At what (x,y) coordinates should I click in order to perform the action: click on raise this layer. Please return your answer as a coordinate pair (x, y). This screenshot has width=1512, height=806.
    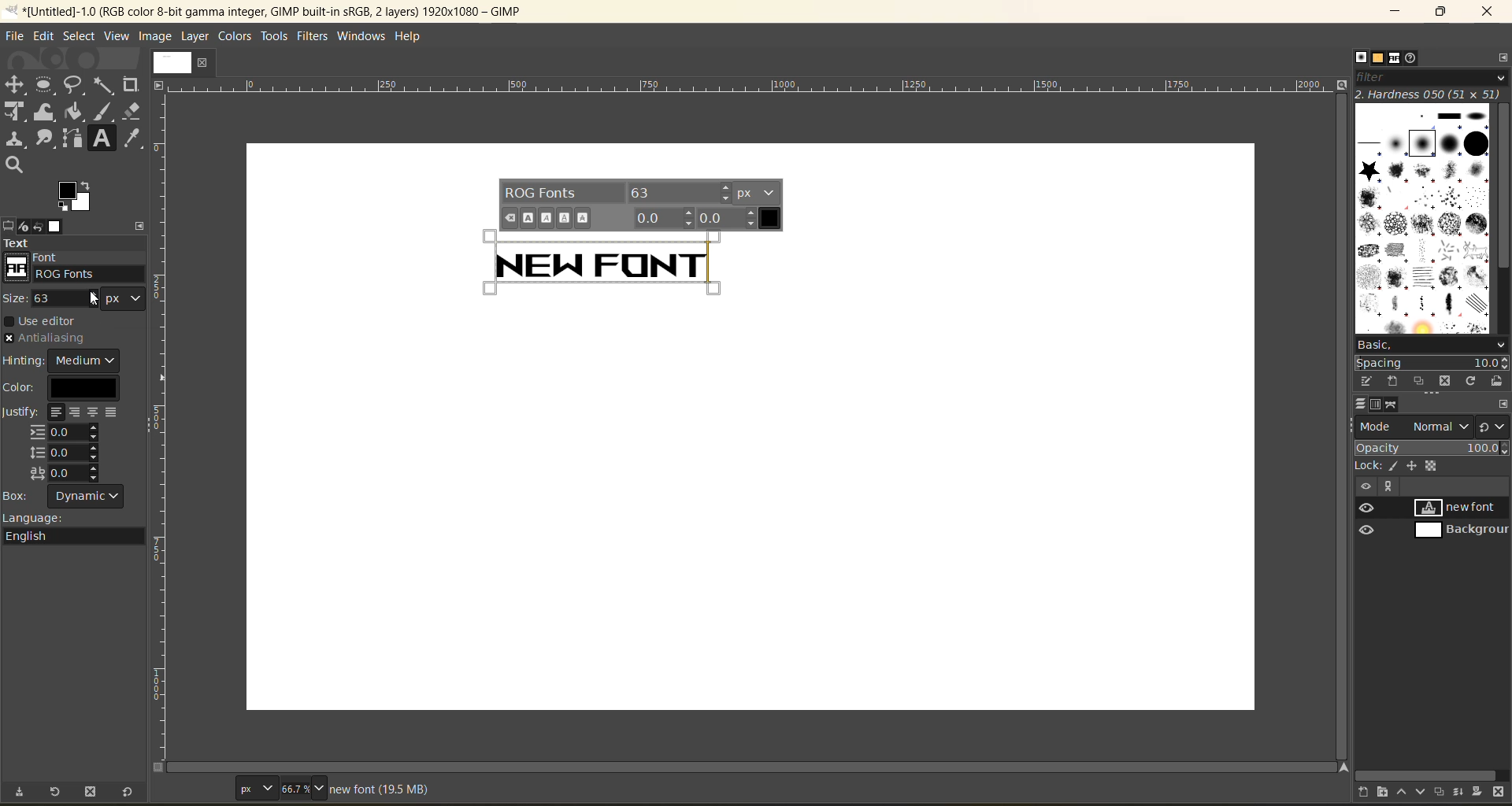
    Looking at the image, I should click on (1408, 793).